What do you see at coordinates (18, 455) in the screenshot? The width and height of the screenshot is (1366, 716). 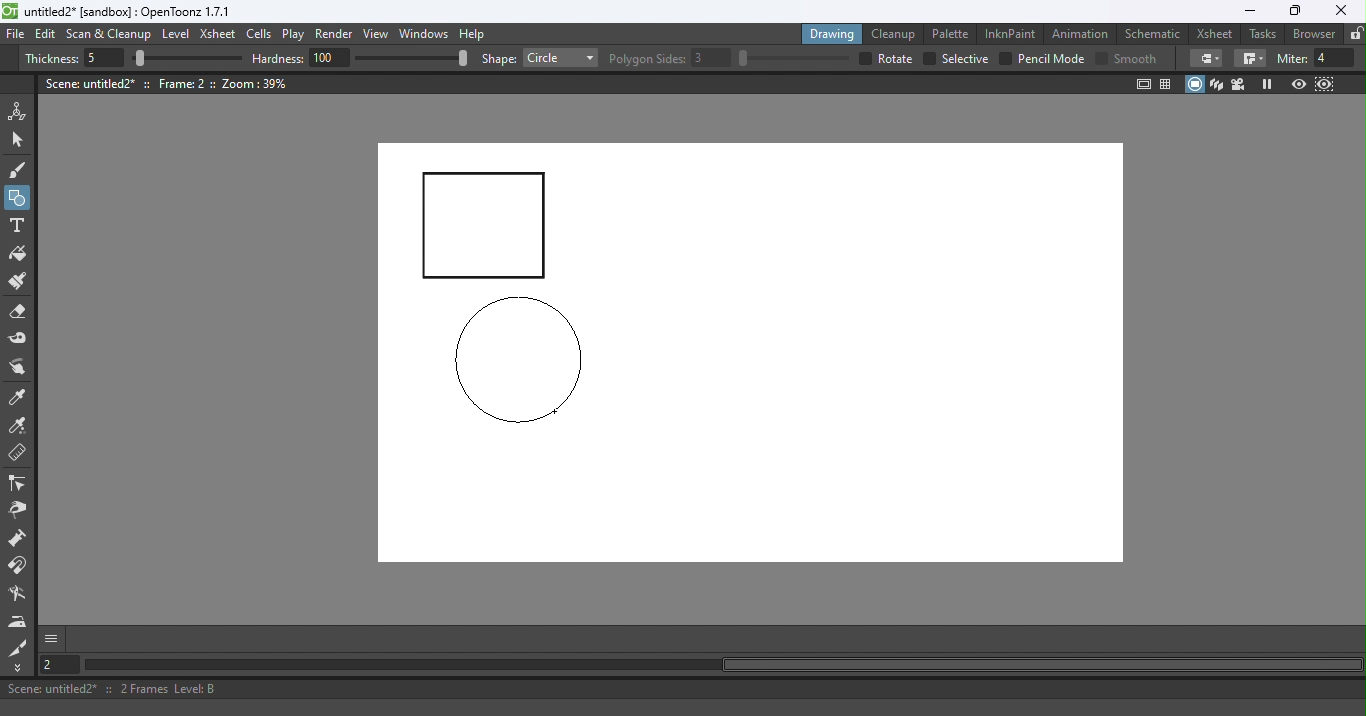 I see `Ruler tool` at bounding box center [18, 455].